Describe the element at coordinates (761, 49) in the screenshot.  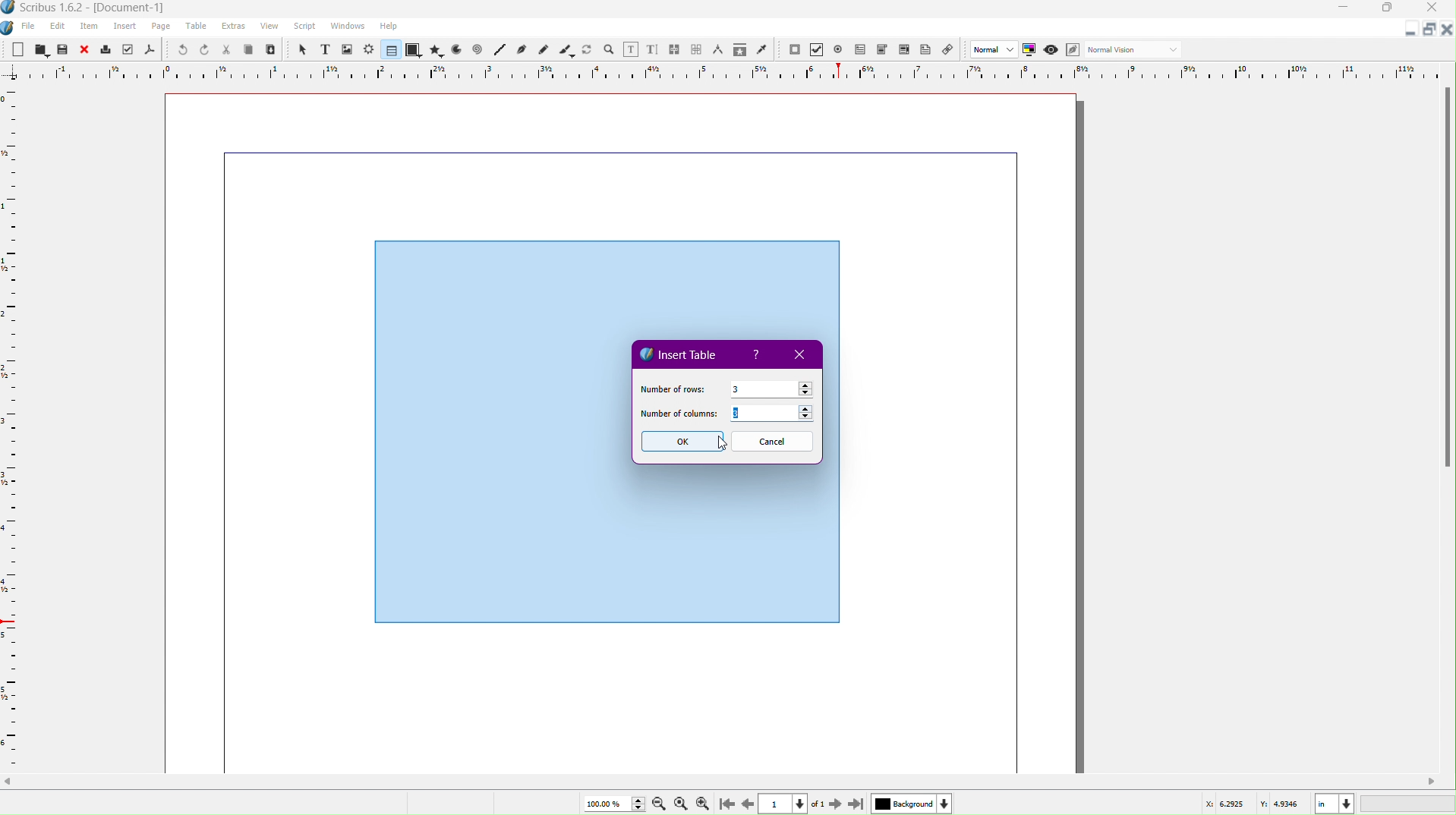
I see `Eye Dropper` at that location.